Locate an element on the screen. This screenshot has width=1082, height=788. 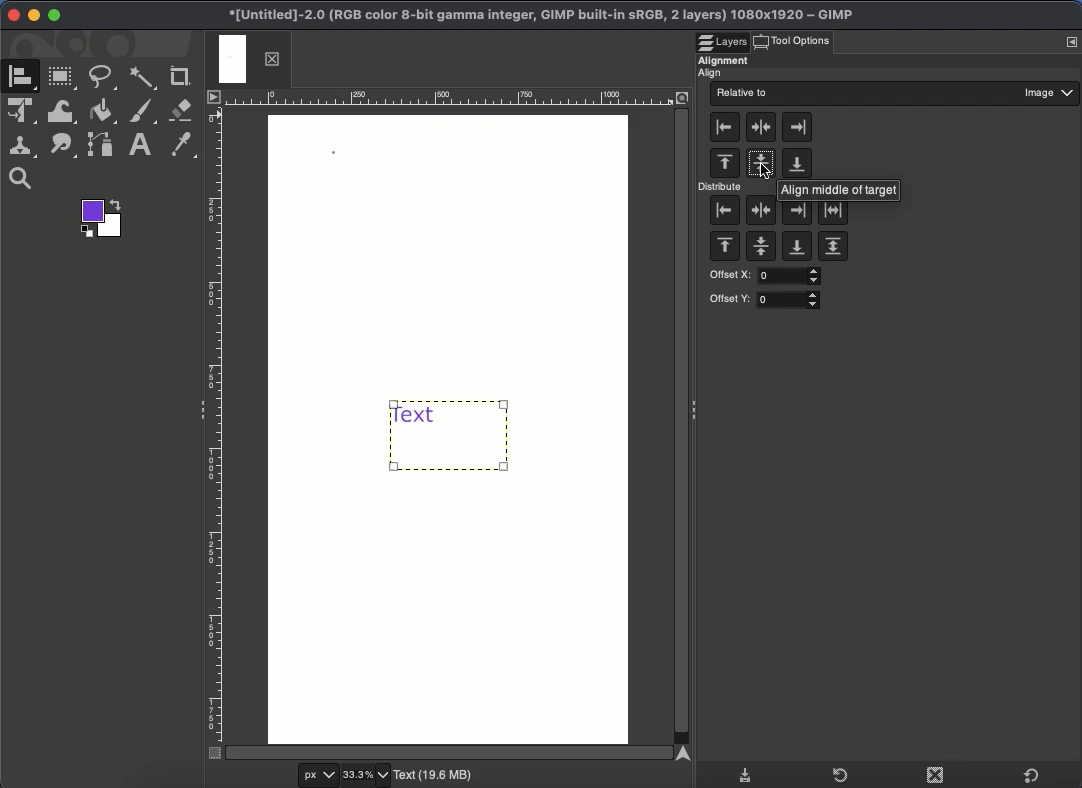
Distribute top edges is located at coordinates (724, 248).